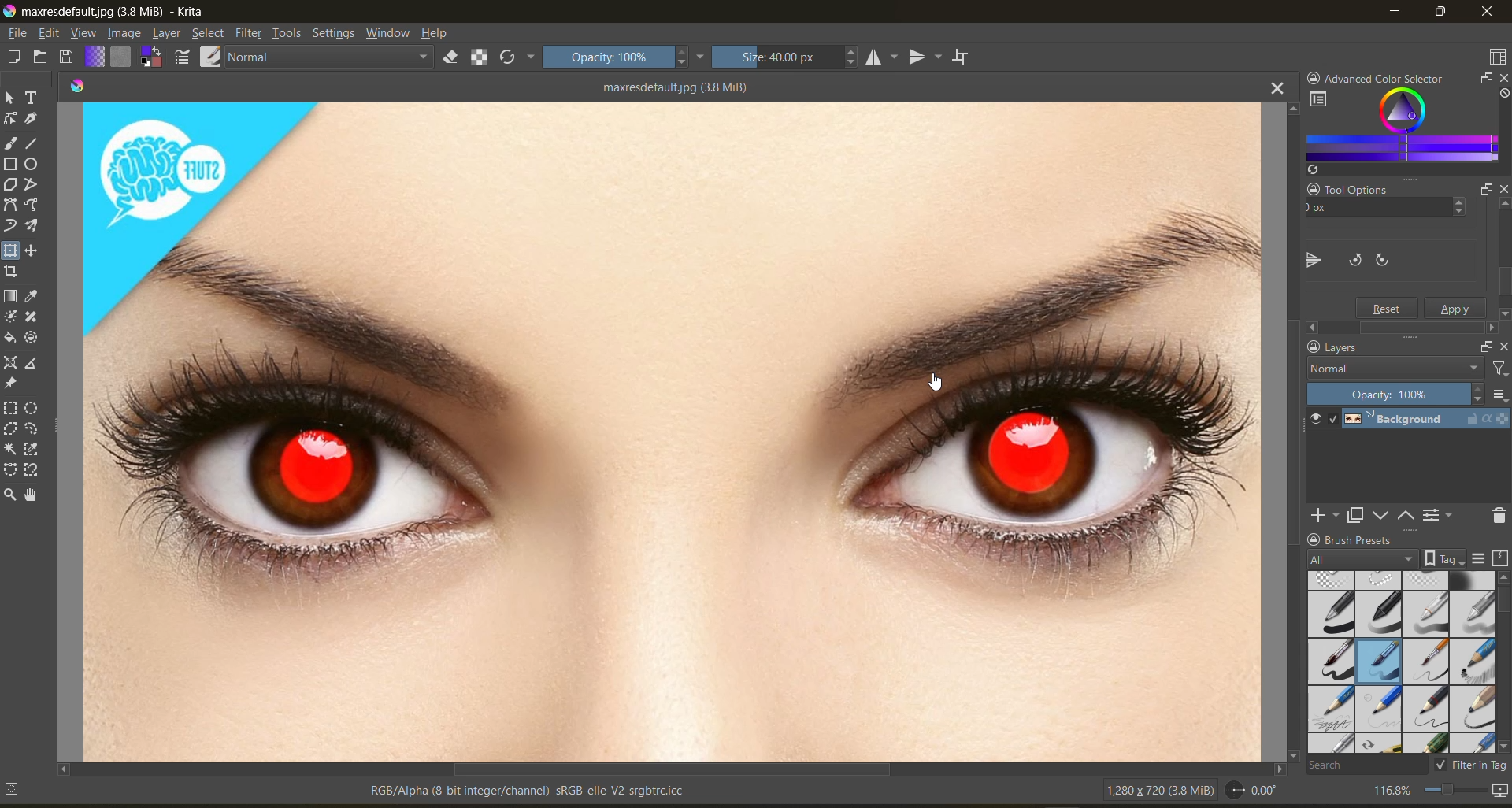 The image size is (1512, 808). What do you see at coordinates (112, 13) in the screenshot?
I see `app name and file name` at bounding box center [112, 13].